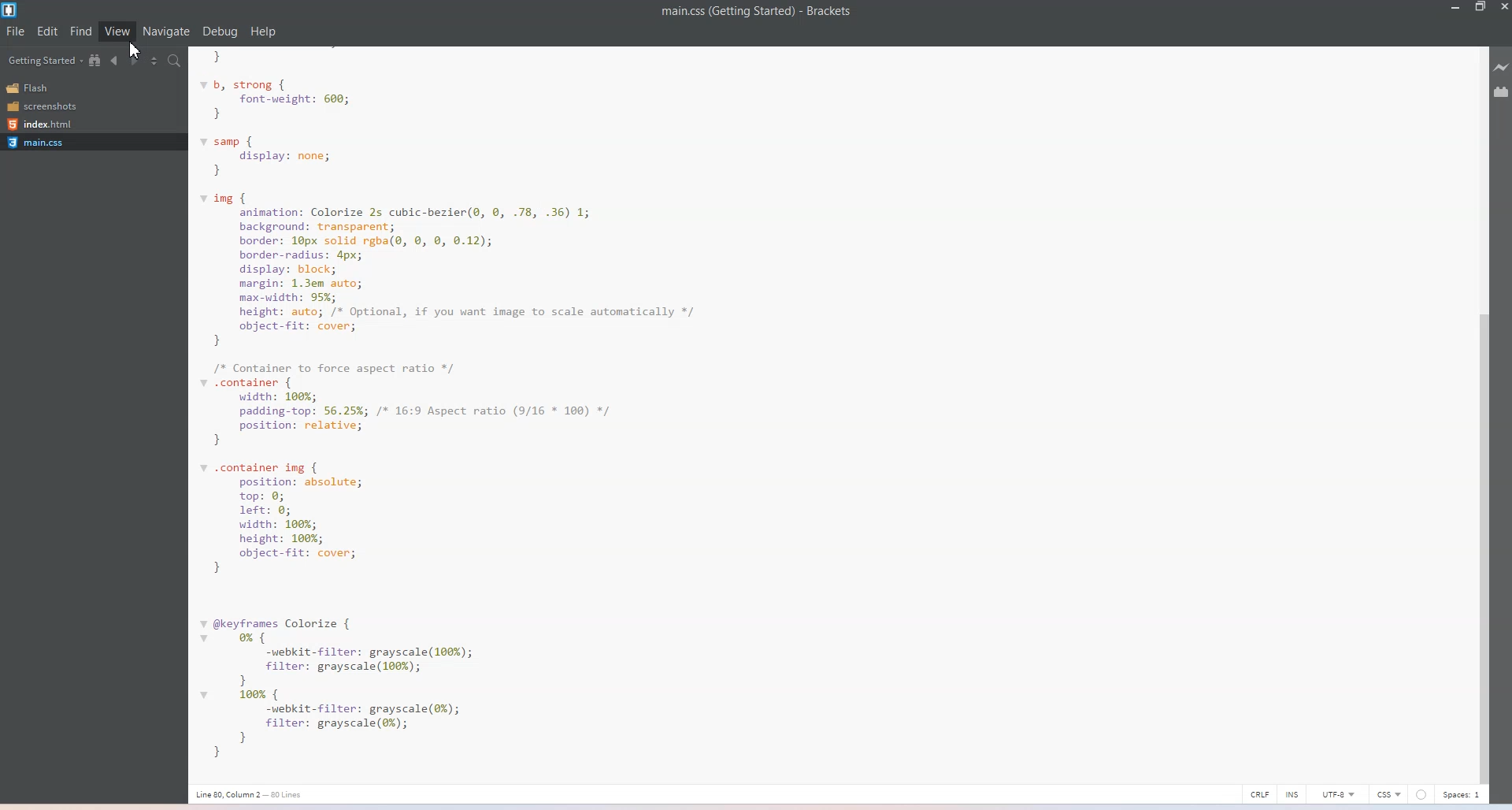 The width and height of the screenshot is (1512, 810). I want to click on Live Preview, so click(1503, 68).